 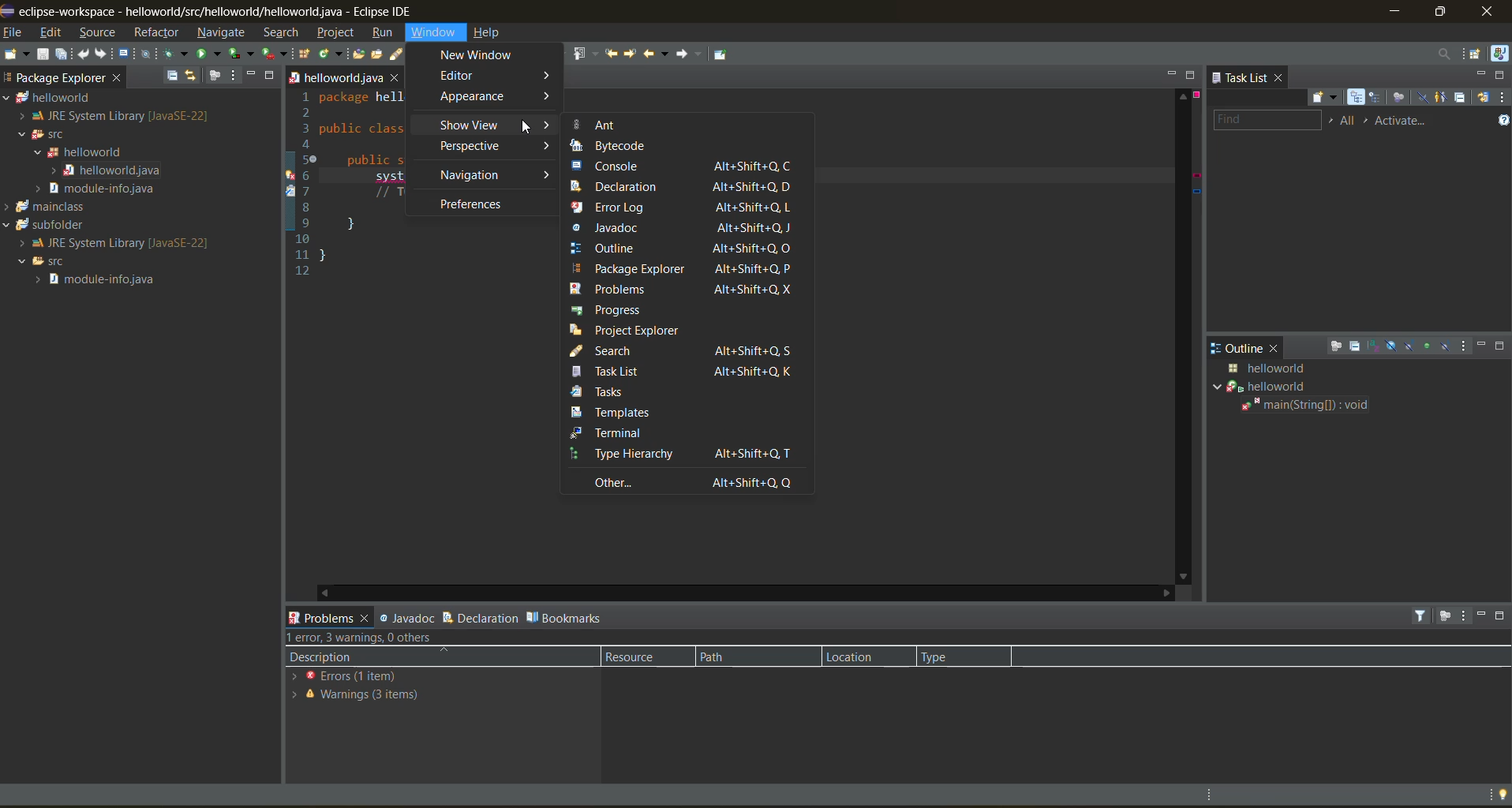 What do you see at coordinates (634, 52) in the screenshot?
I see `next edit location` at bounding box center [634, 52].